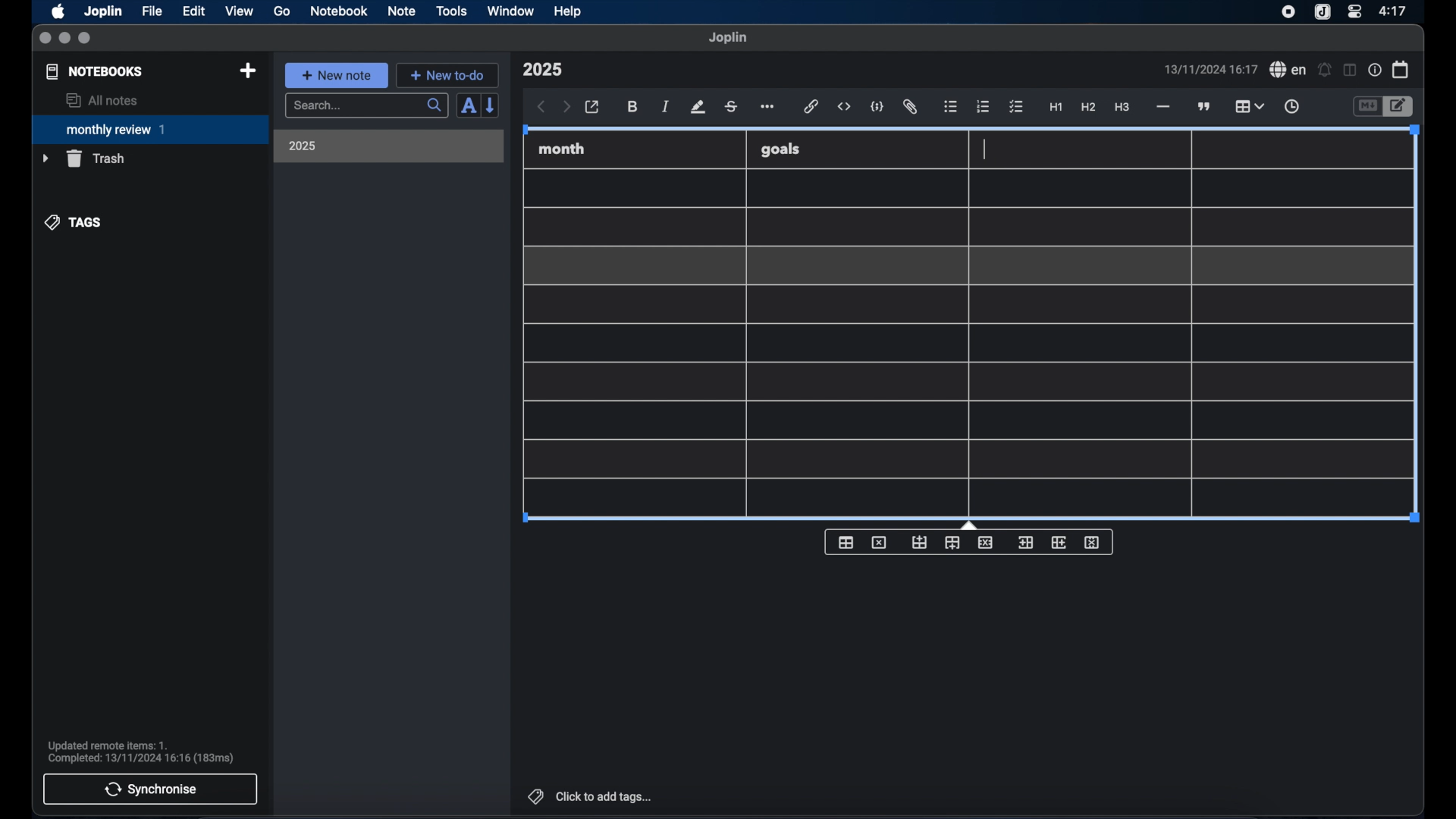 This screenshot has width=1456, height=819. Describe the element at coordinates (879, 543) in the screenshot. I see `delete table` at that location.